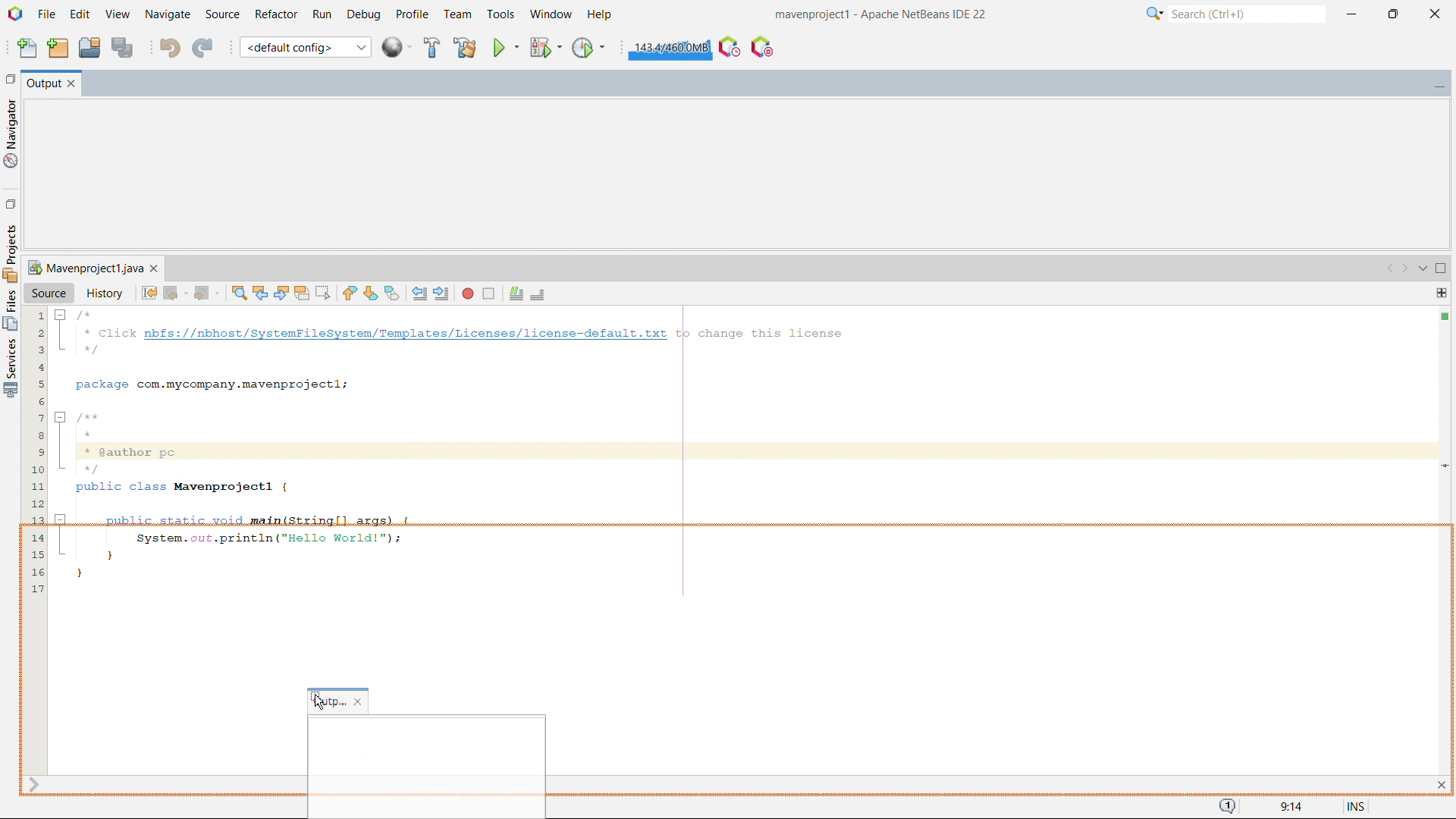  What do you see at coordinates (1405, 269) in the screenshot?
I see `scroll right` at bounding box center [1405, 269].